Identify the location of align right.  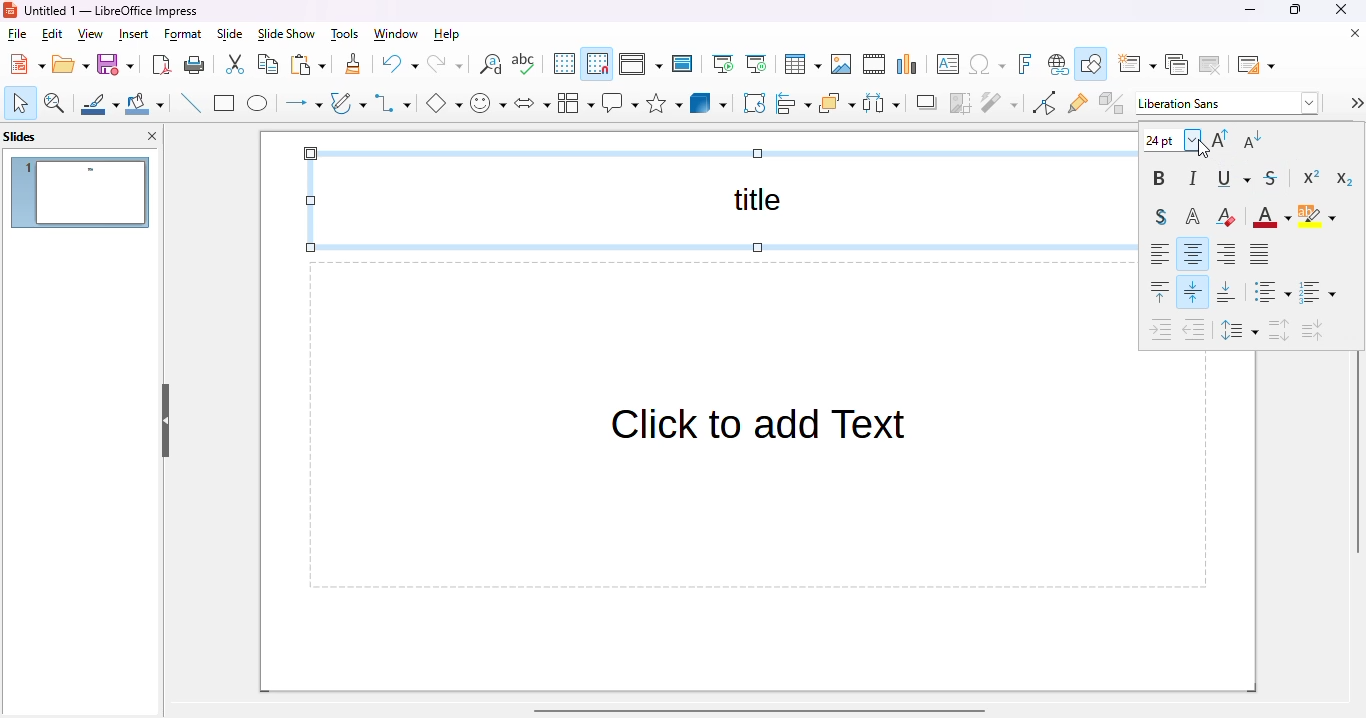
(1226, 254).